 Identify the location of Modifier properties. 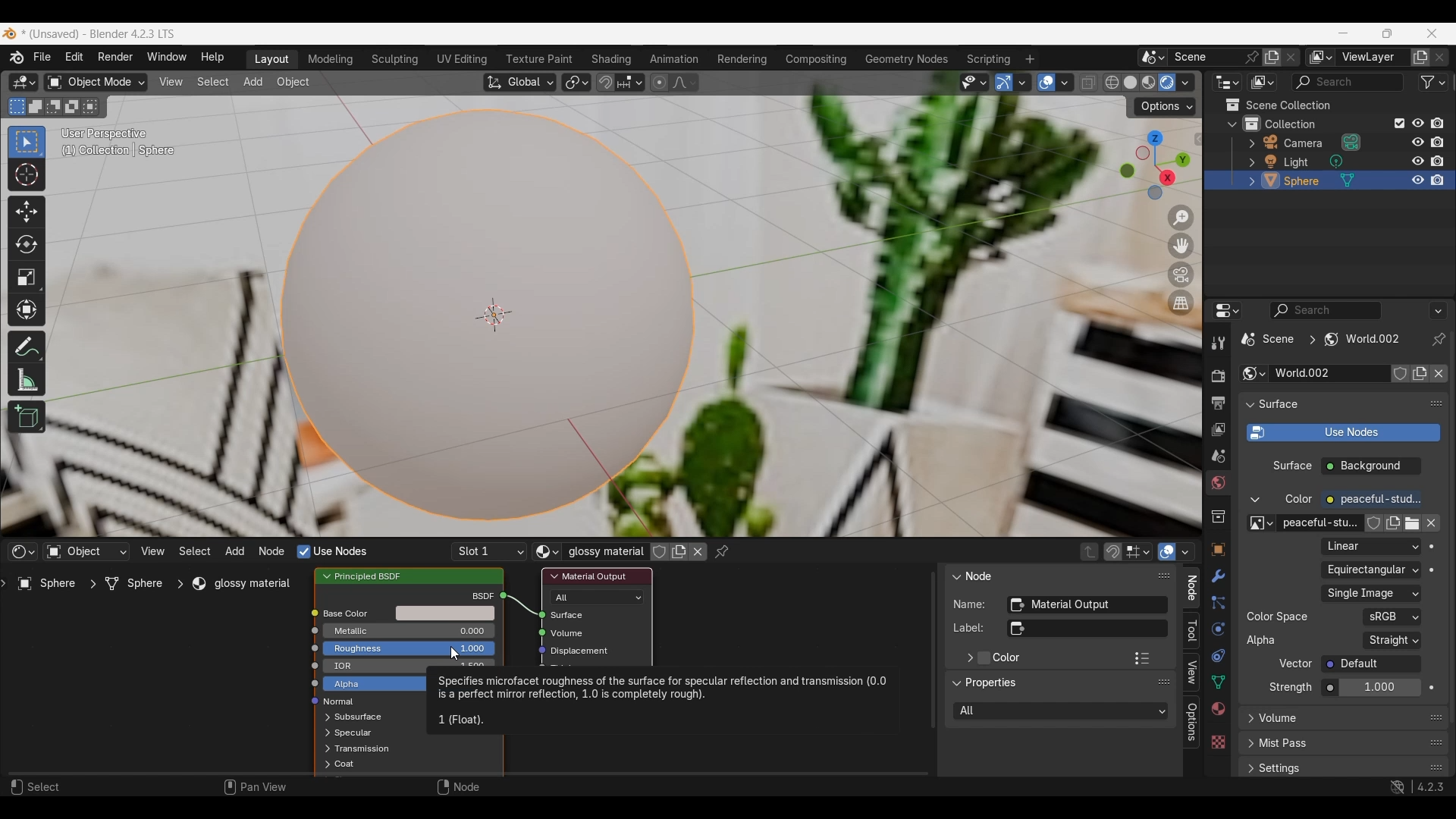
(1217, 576).